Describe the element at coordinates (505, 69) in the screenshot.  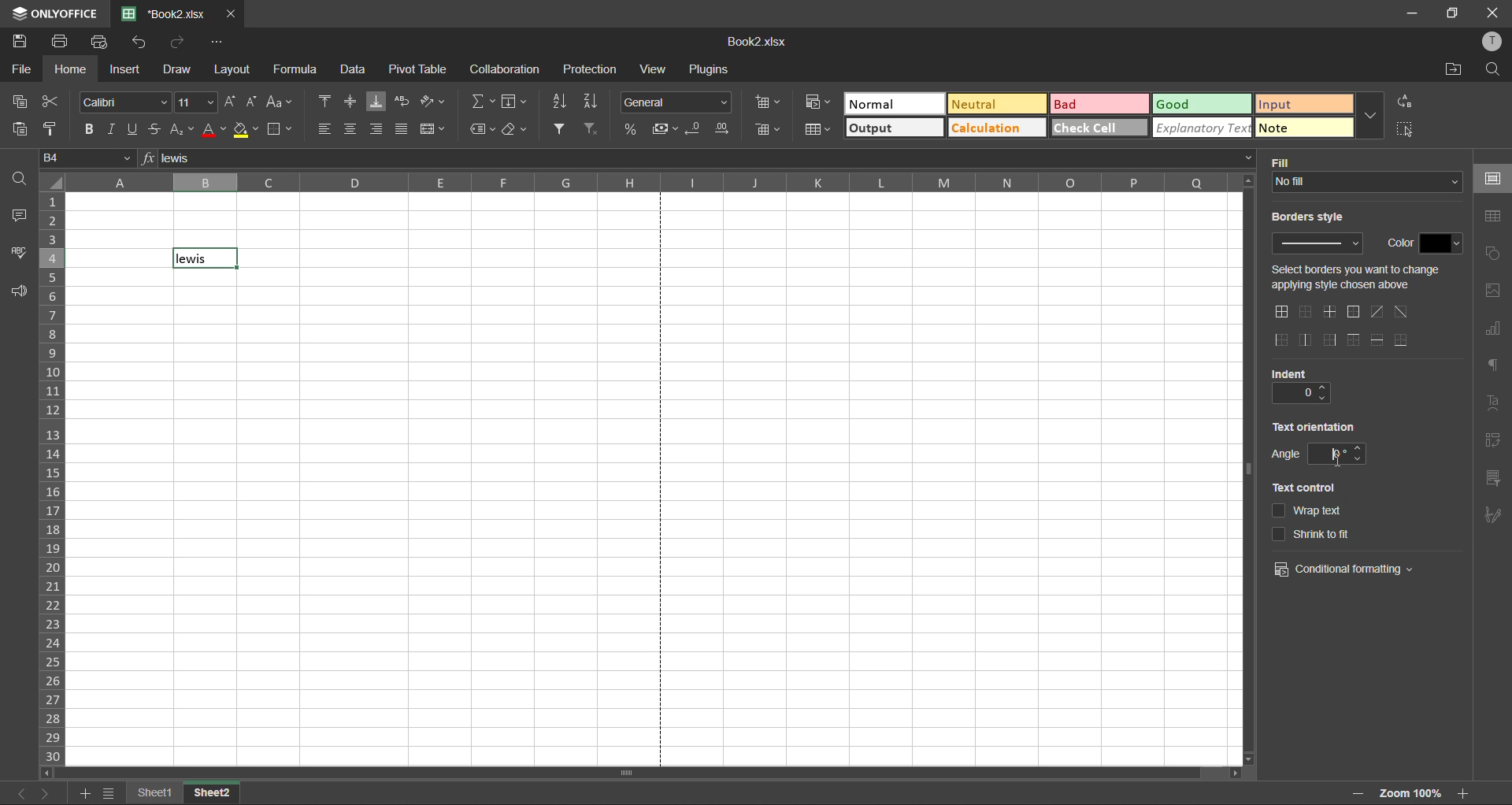
I see `collaboration` at that location.